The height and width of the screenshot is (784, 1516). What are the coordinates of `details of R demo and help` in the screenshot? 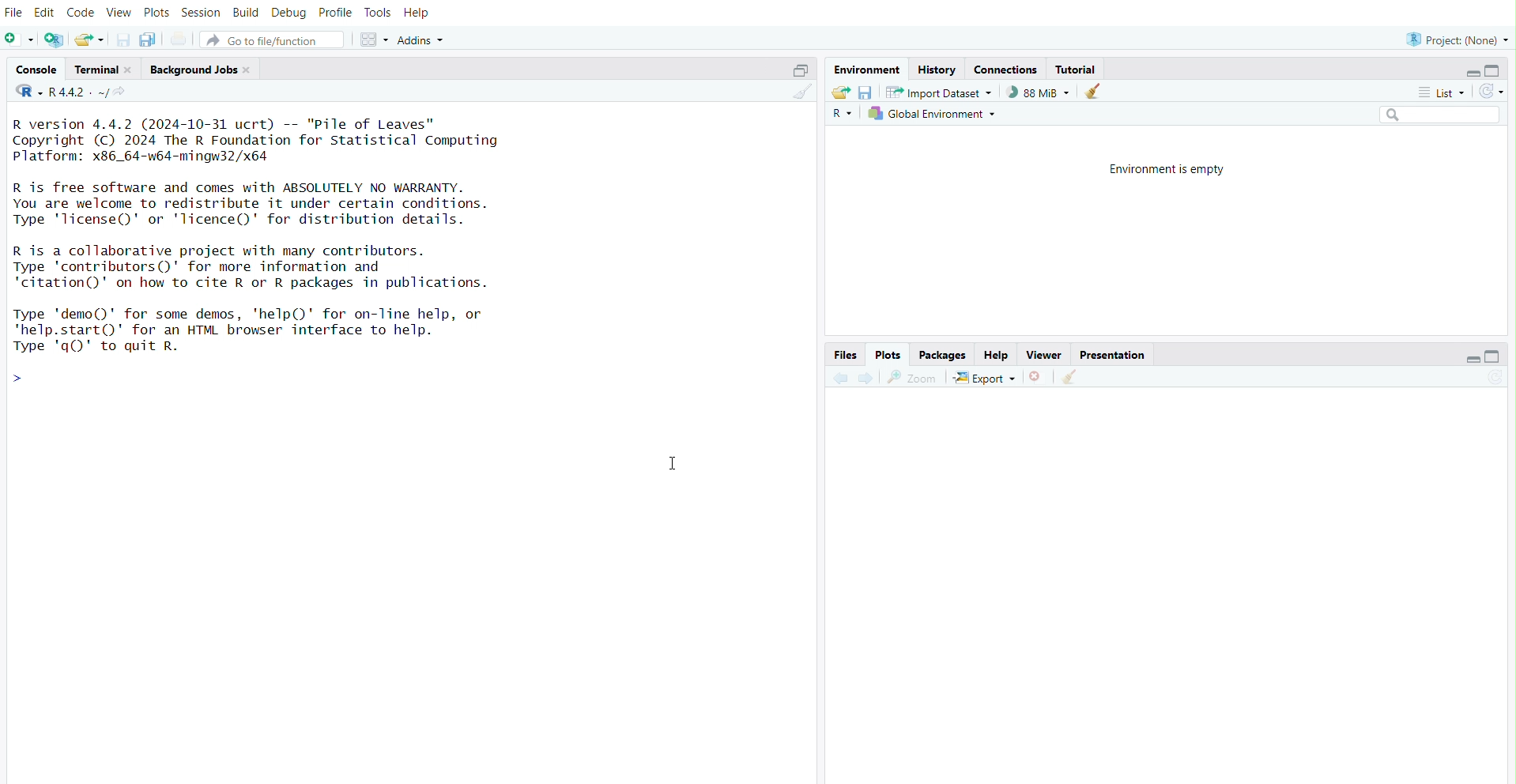 It's located at (283, 330).